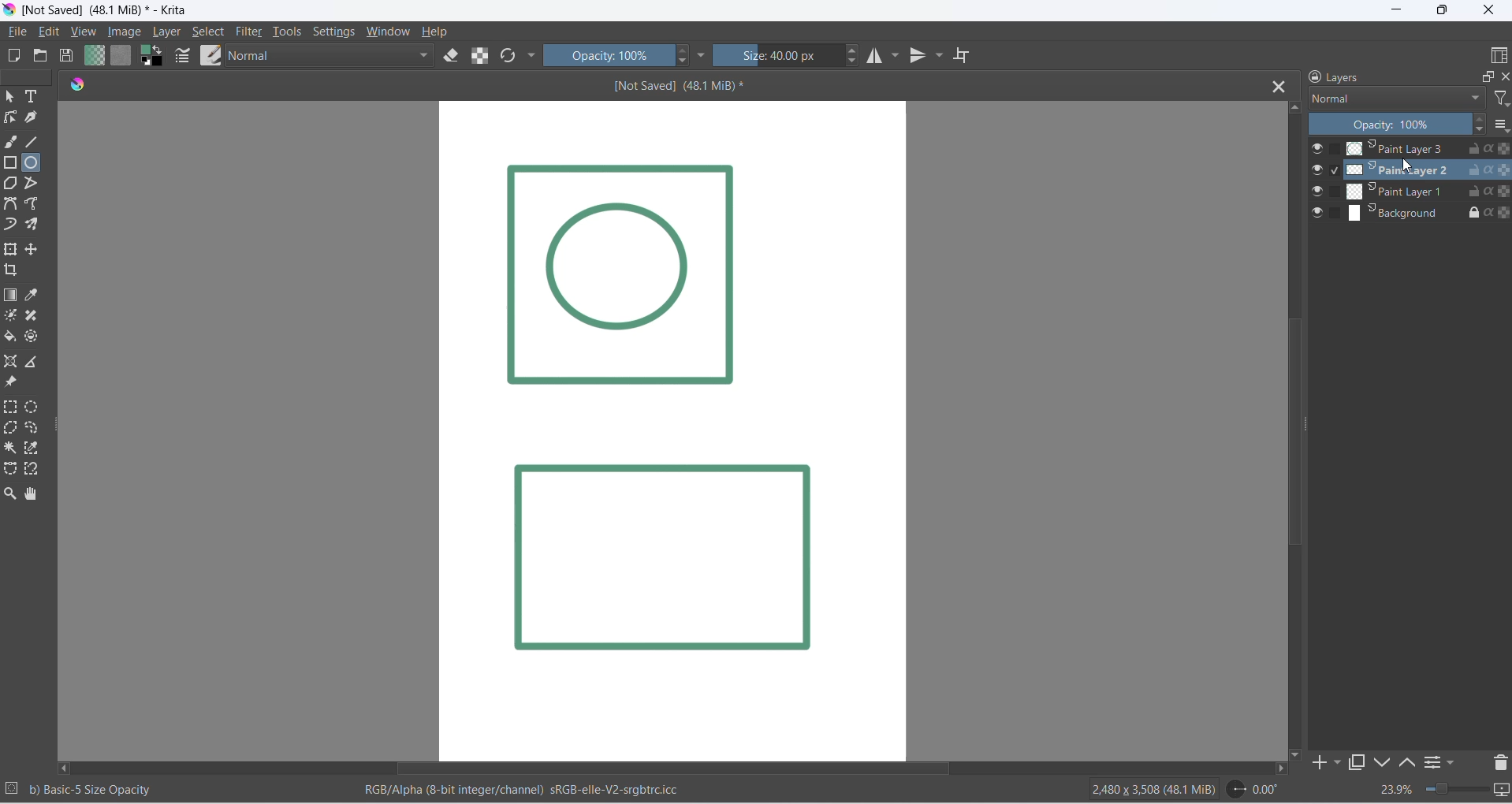  Describe the element at coordinates (1296, 754) in the screenshot. I see `move down ` at that location.